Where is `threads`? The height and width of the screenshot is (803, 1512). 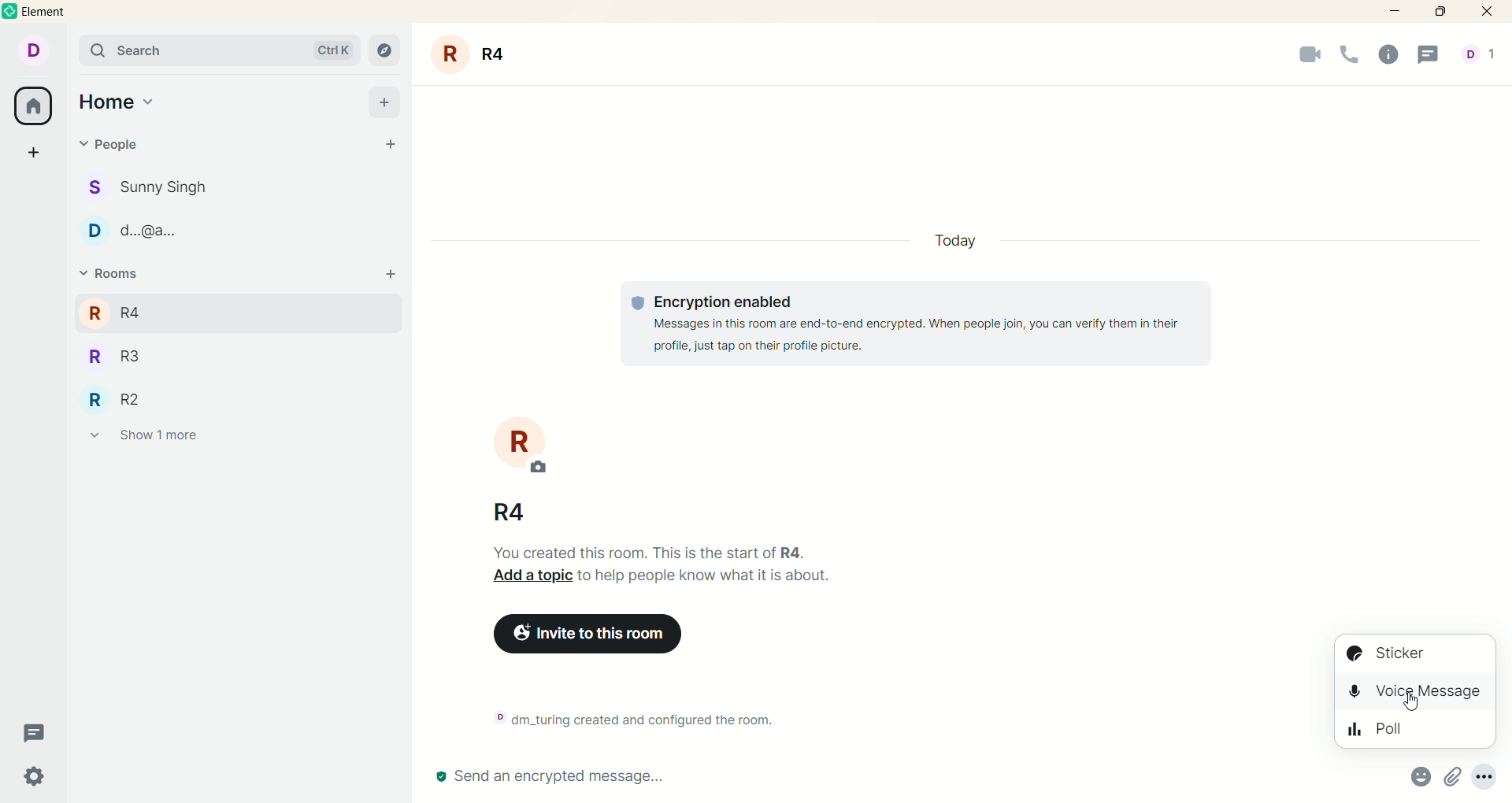 threads is located at coordinates (36, 734).